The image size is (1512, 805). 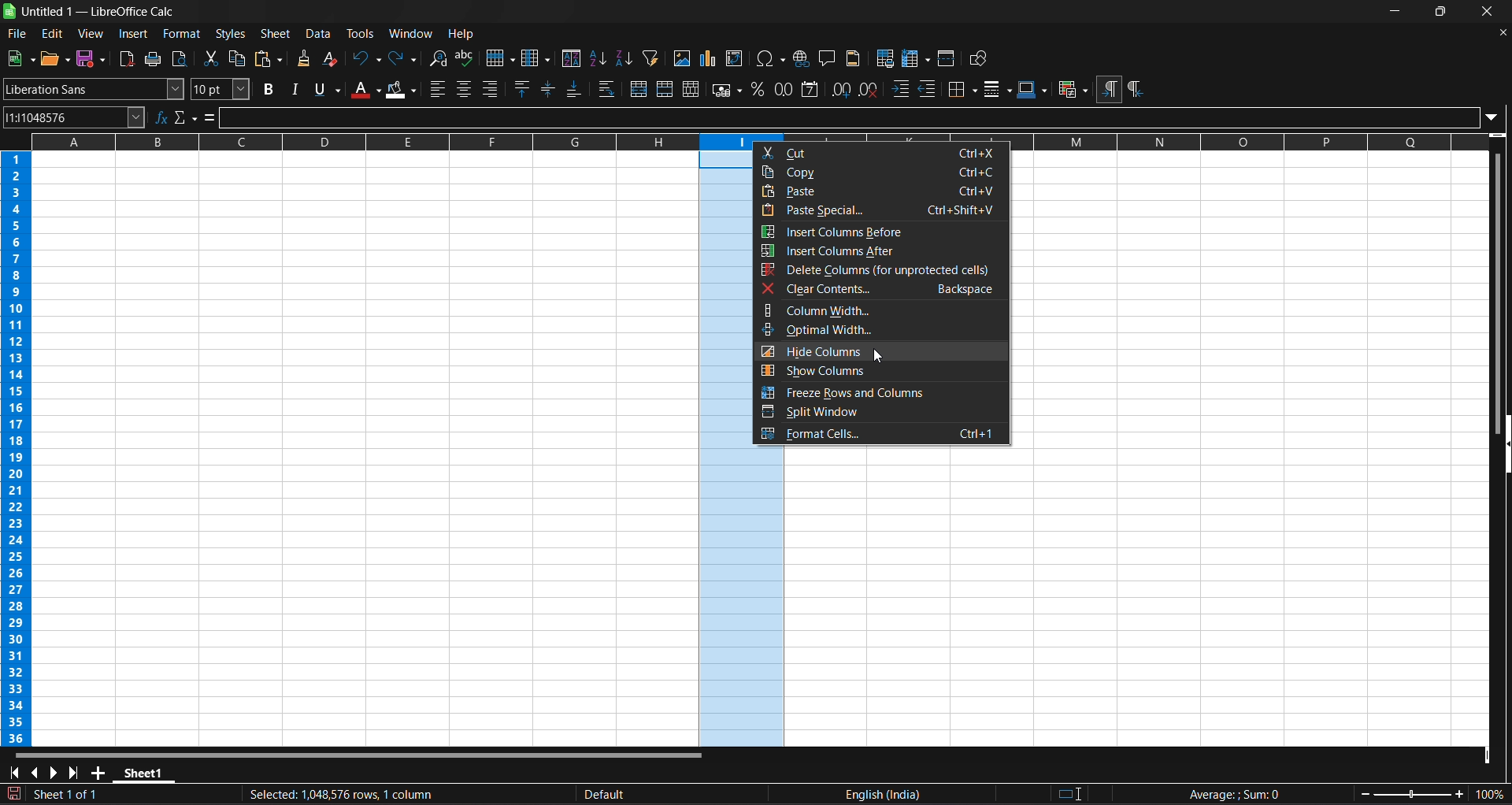 What do you see at coordinates (879, 434) in the screenshot?
I see `format cells` at bounding box center [879, 434].